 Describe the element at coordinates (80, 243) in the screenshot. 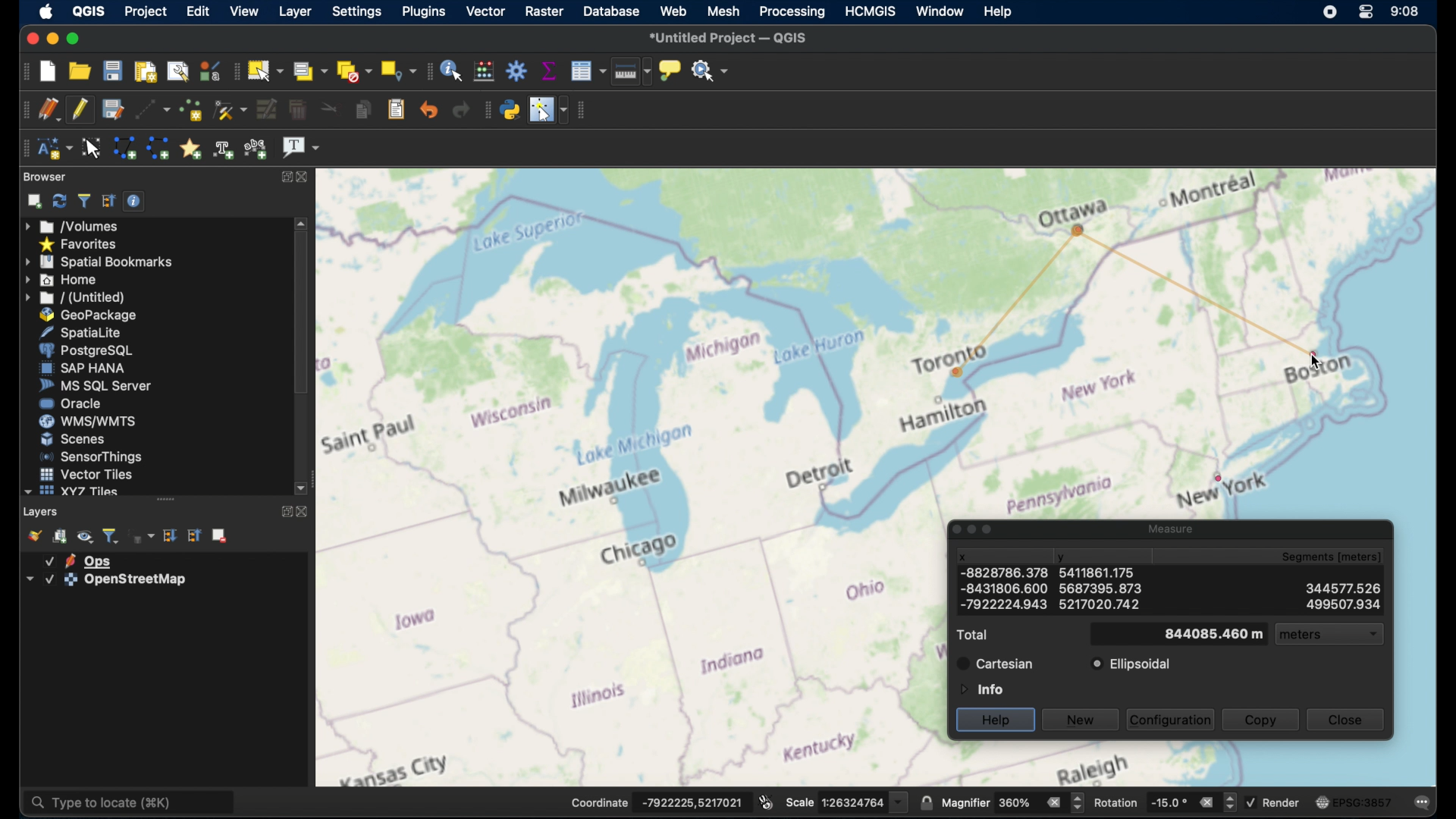

I see `favorites` at that location.